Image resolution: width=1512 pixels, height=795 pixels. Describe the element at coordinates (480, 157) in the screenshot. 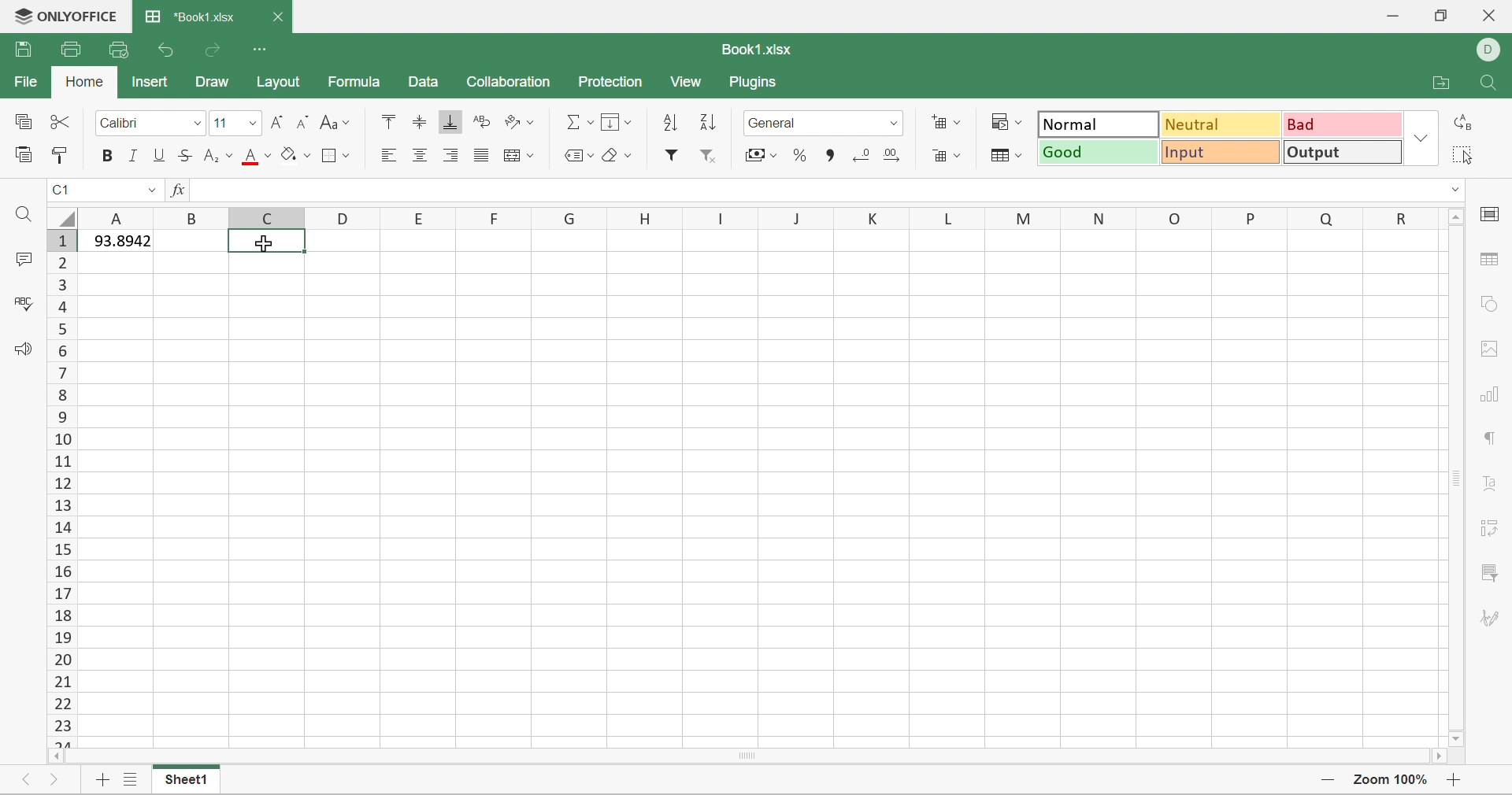

I see `Justified` at that location.